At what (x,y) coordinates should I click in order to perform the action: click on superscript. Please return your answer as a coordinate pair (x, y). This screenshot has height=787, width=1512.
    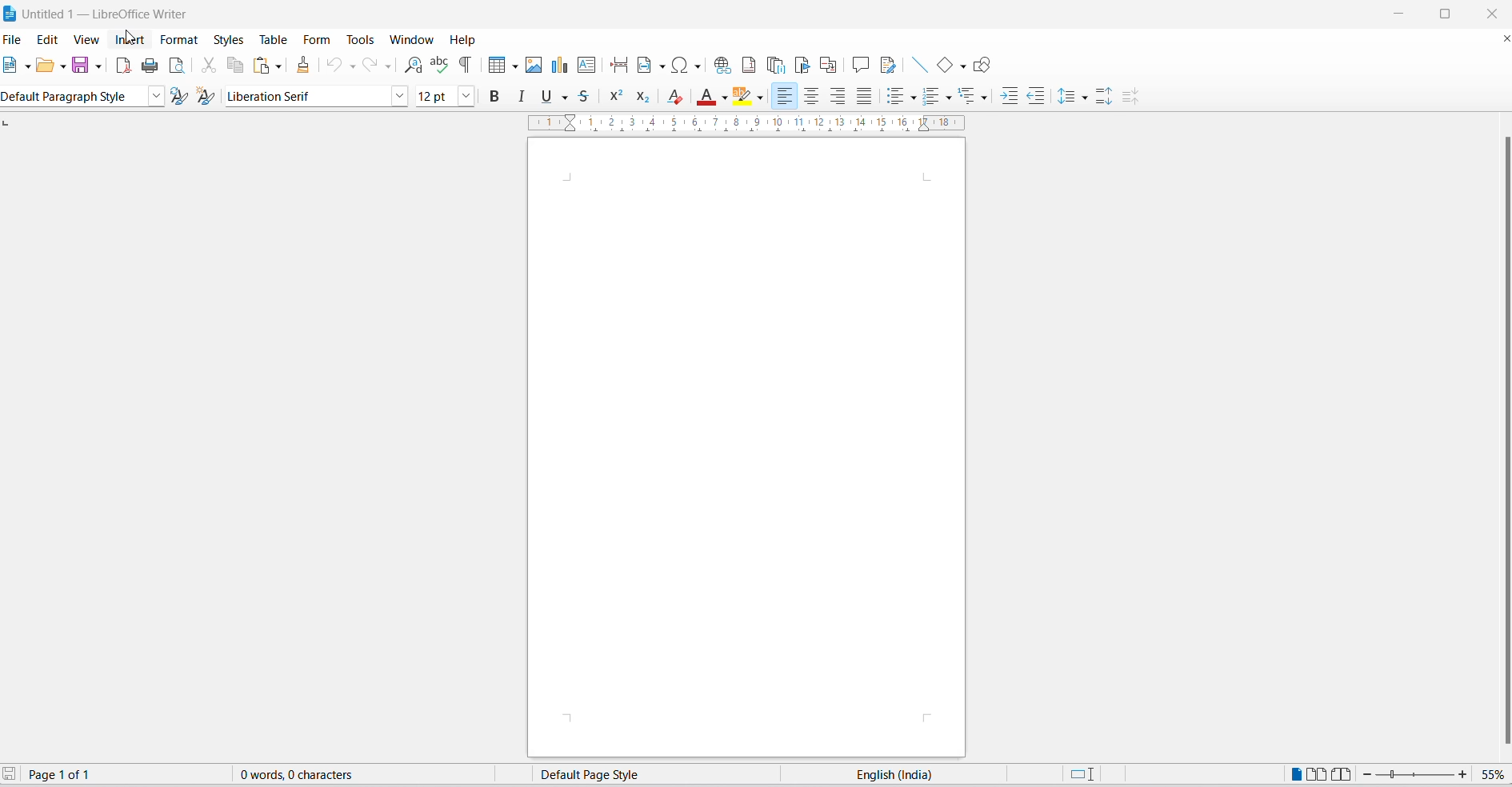
    Looking at the image, I should click on (617, 96).